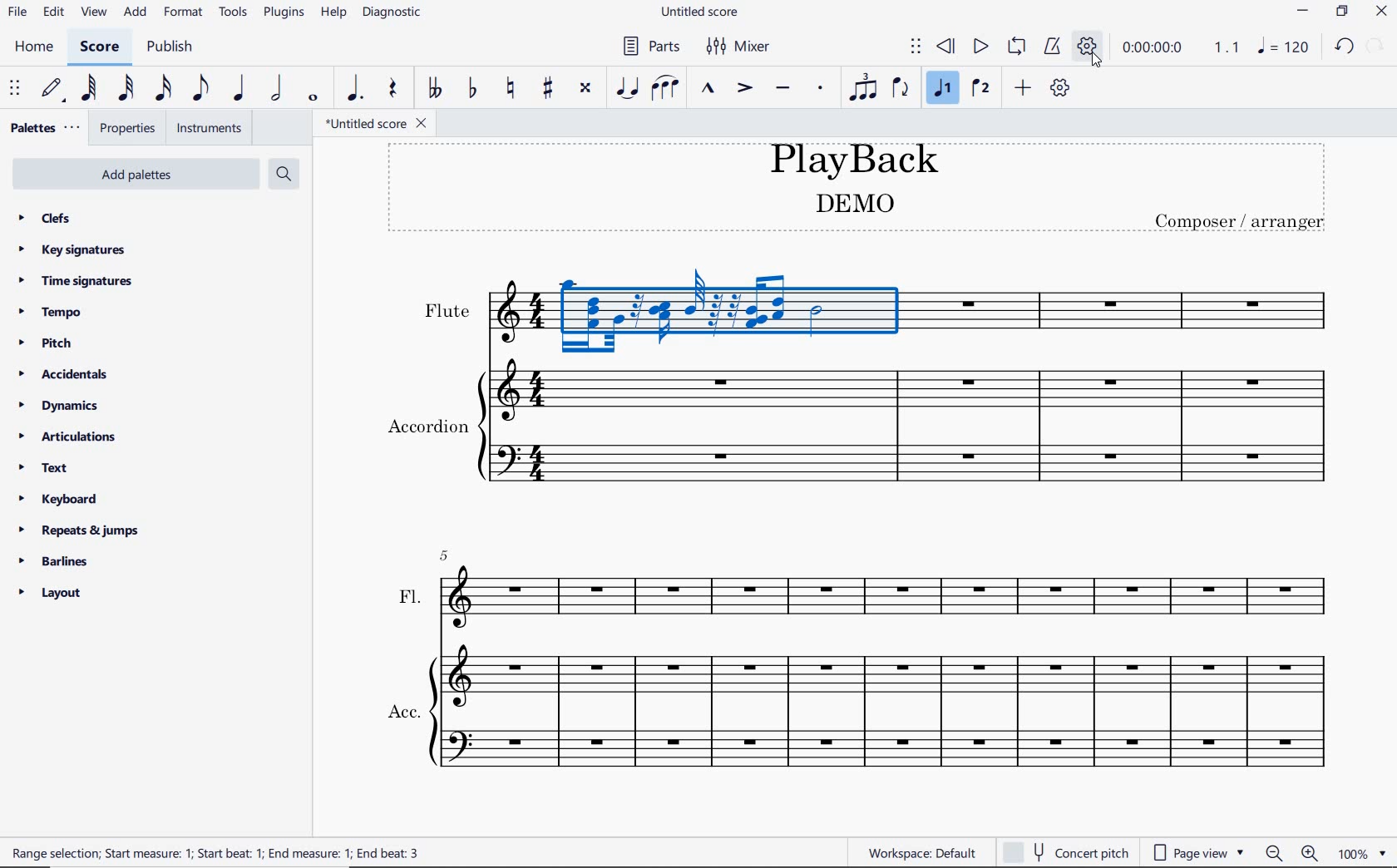 The height and width of the screenshot is (868, 1397). I want to click on undo, so click(1344, 47).